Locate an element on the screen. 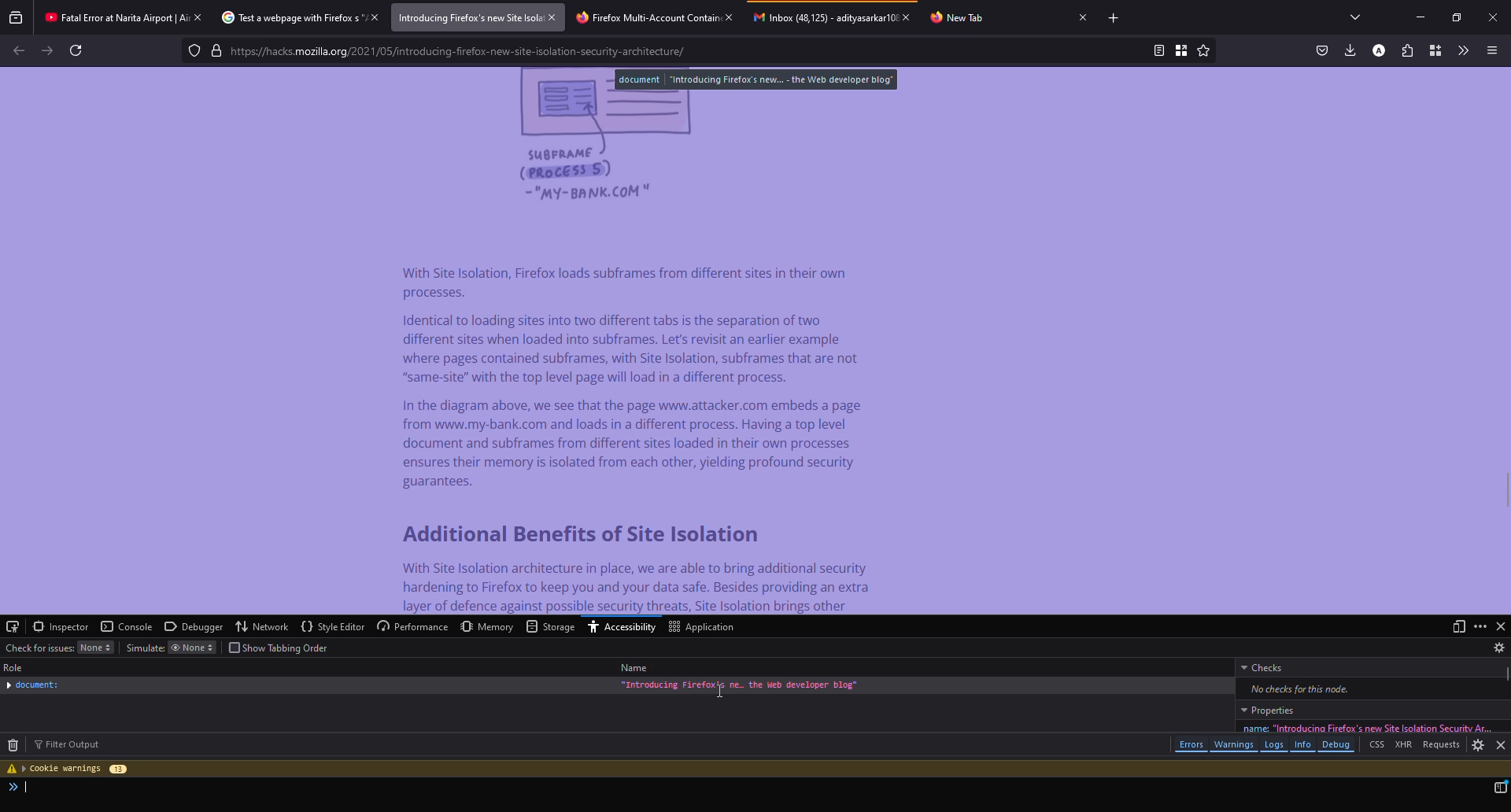 The width and height of the screenshot is (1511, 812). simulate is located at coordinates (143, 648).